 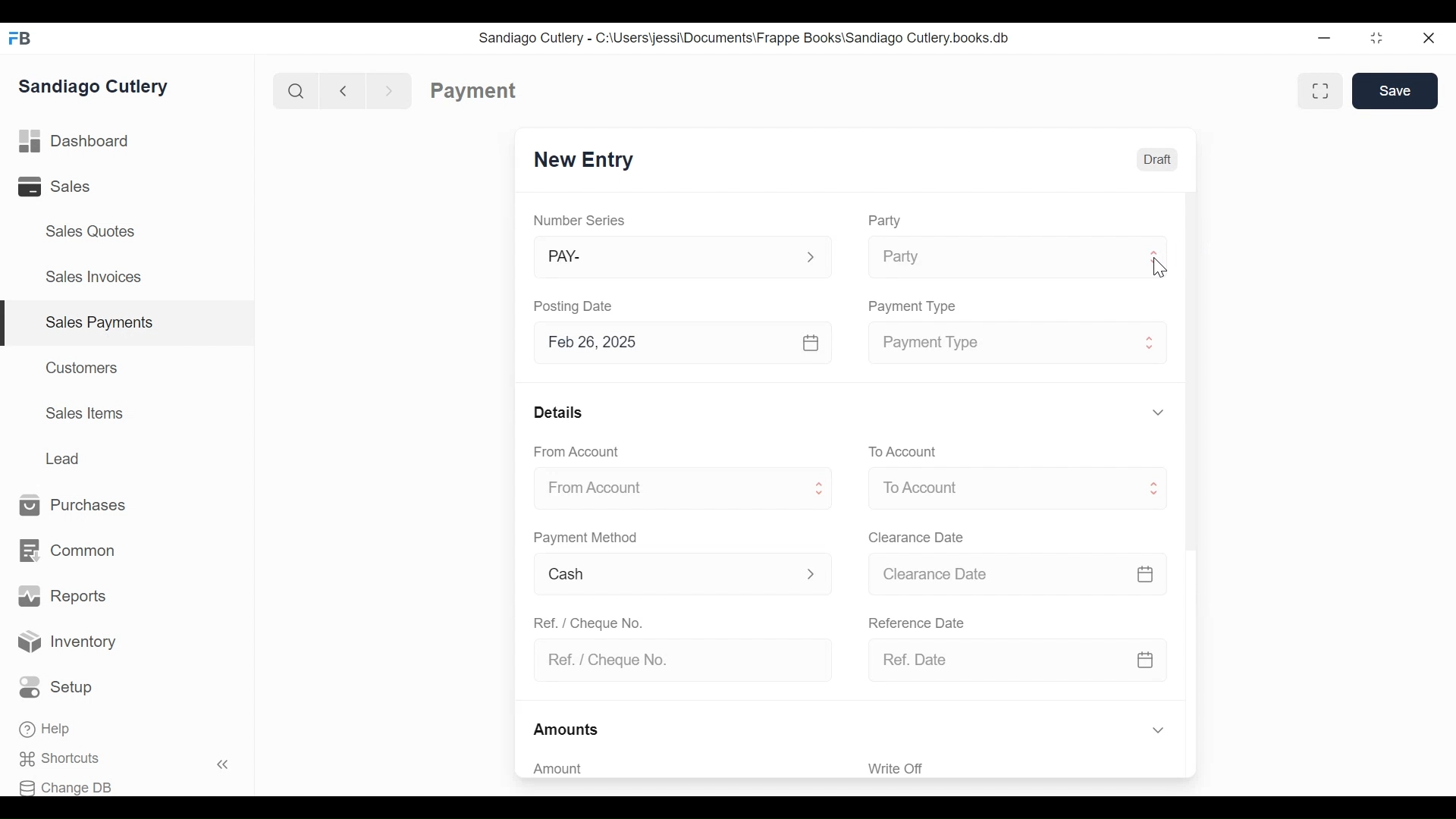 I want to click on From Account, so click(x=665, y=489).